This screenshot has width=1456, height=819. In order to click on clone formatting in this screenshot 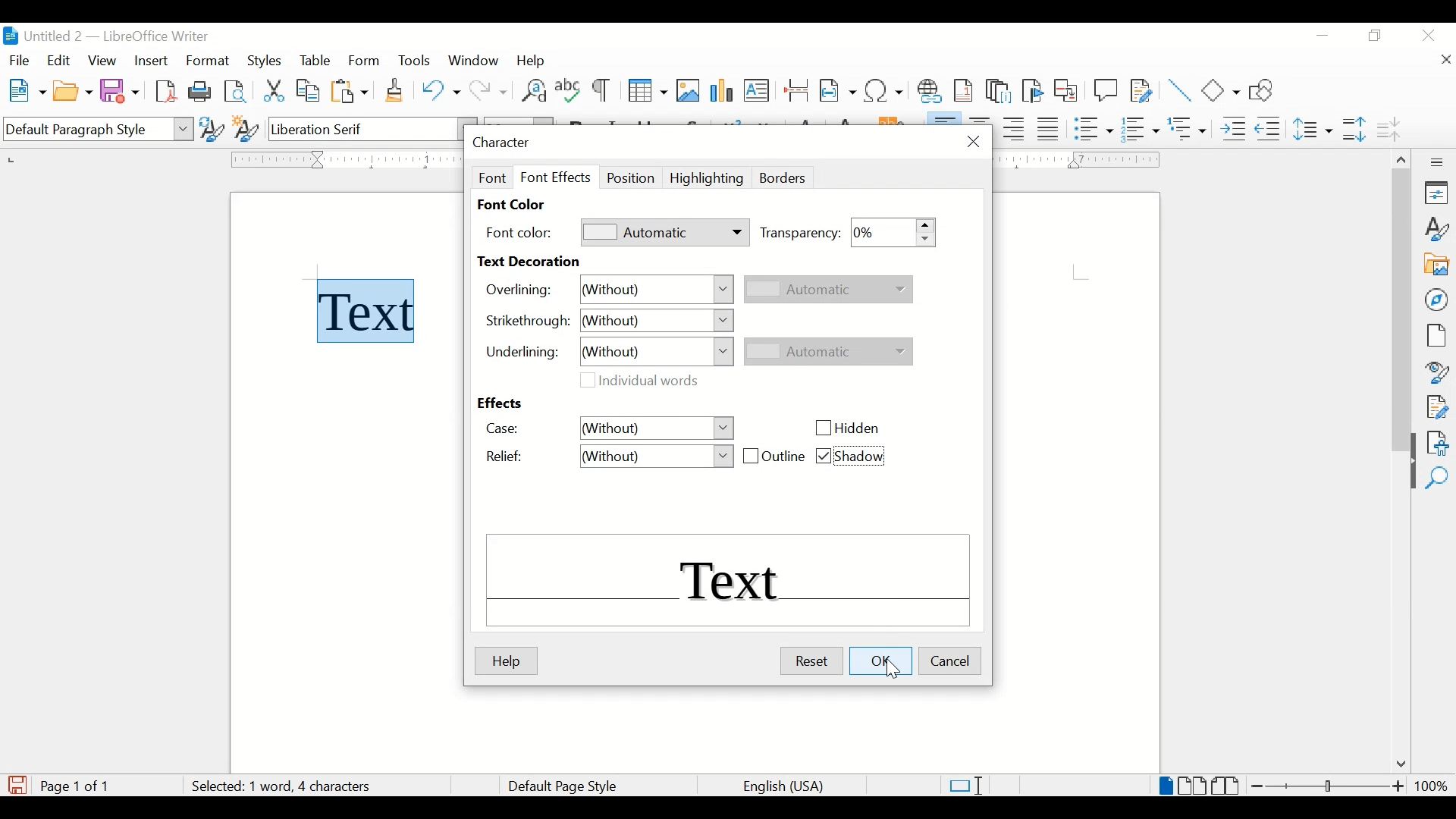, I will do `click(396, 91)`.